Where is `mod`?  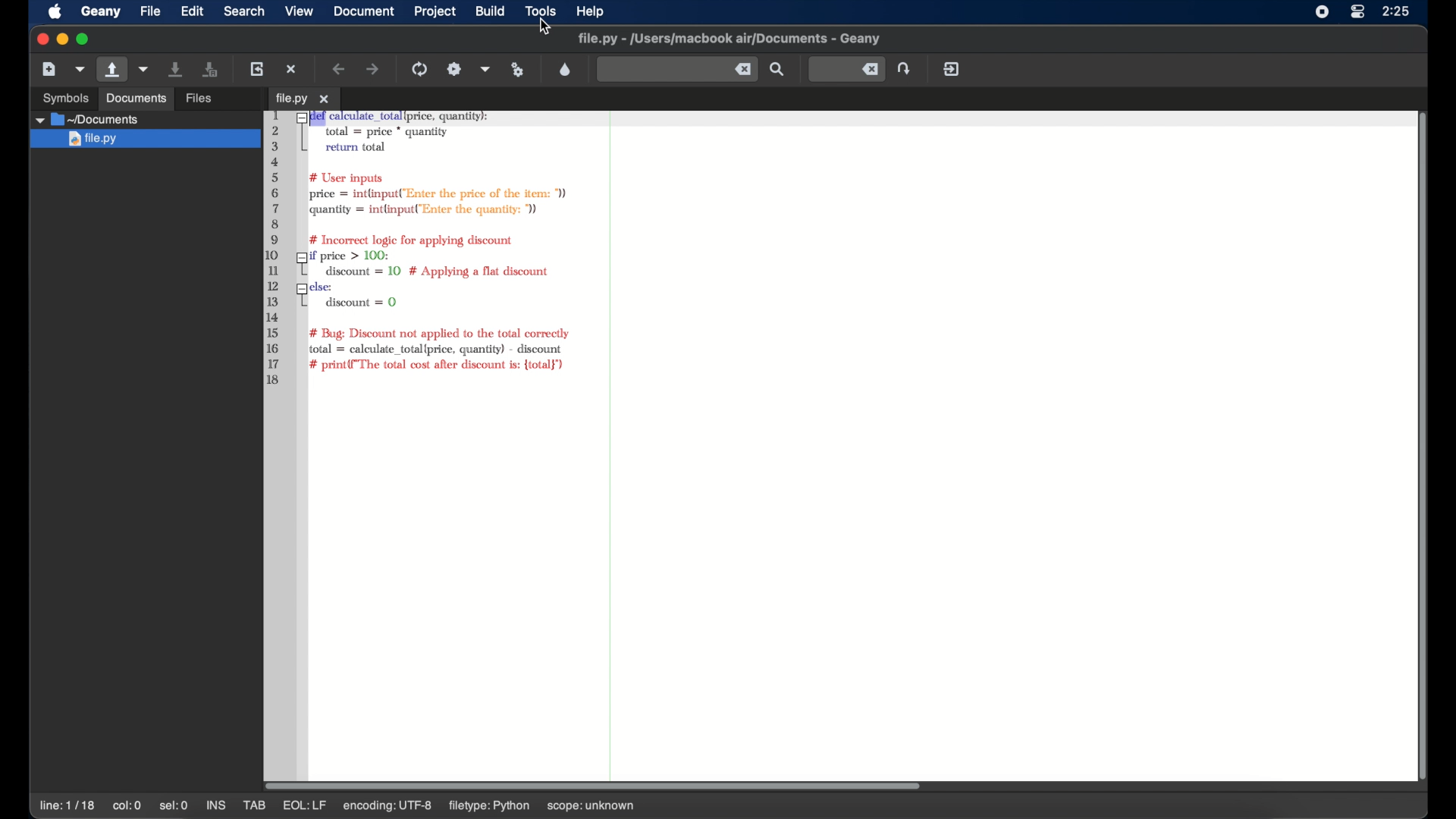 mod is located at coordinates (297, 805).